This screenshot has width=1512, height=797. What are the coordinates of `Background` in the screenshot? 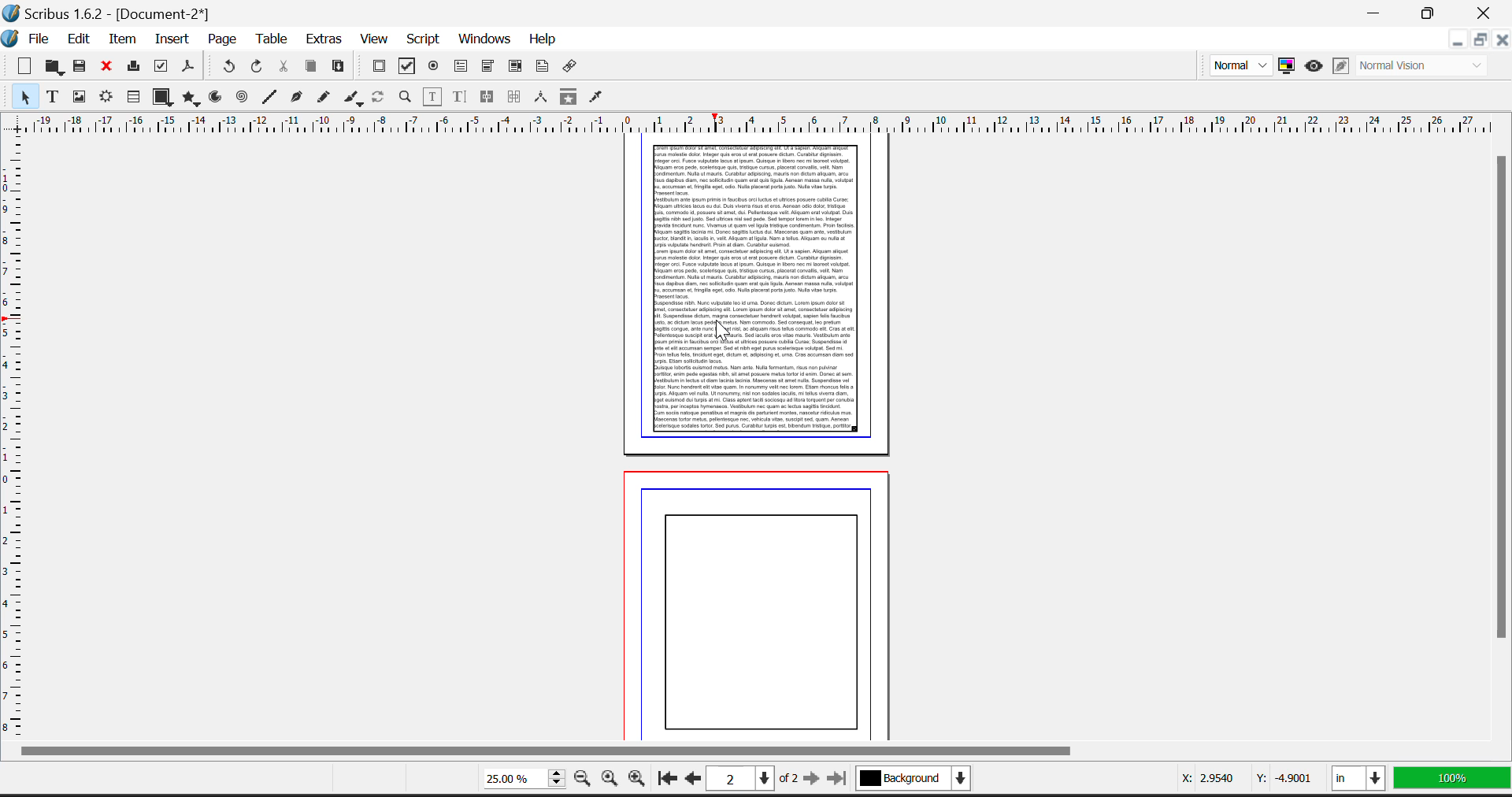 It's located at (925, 781).